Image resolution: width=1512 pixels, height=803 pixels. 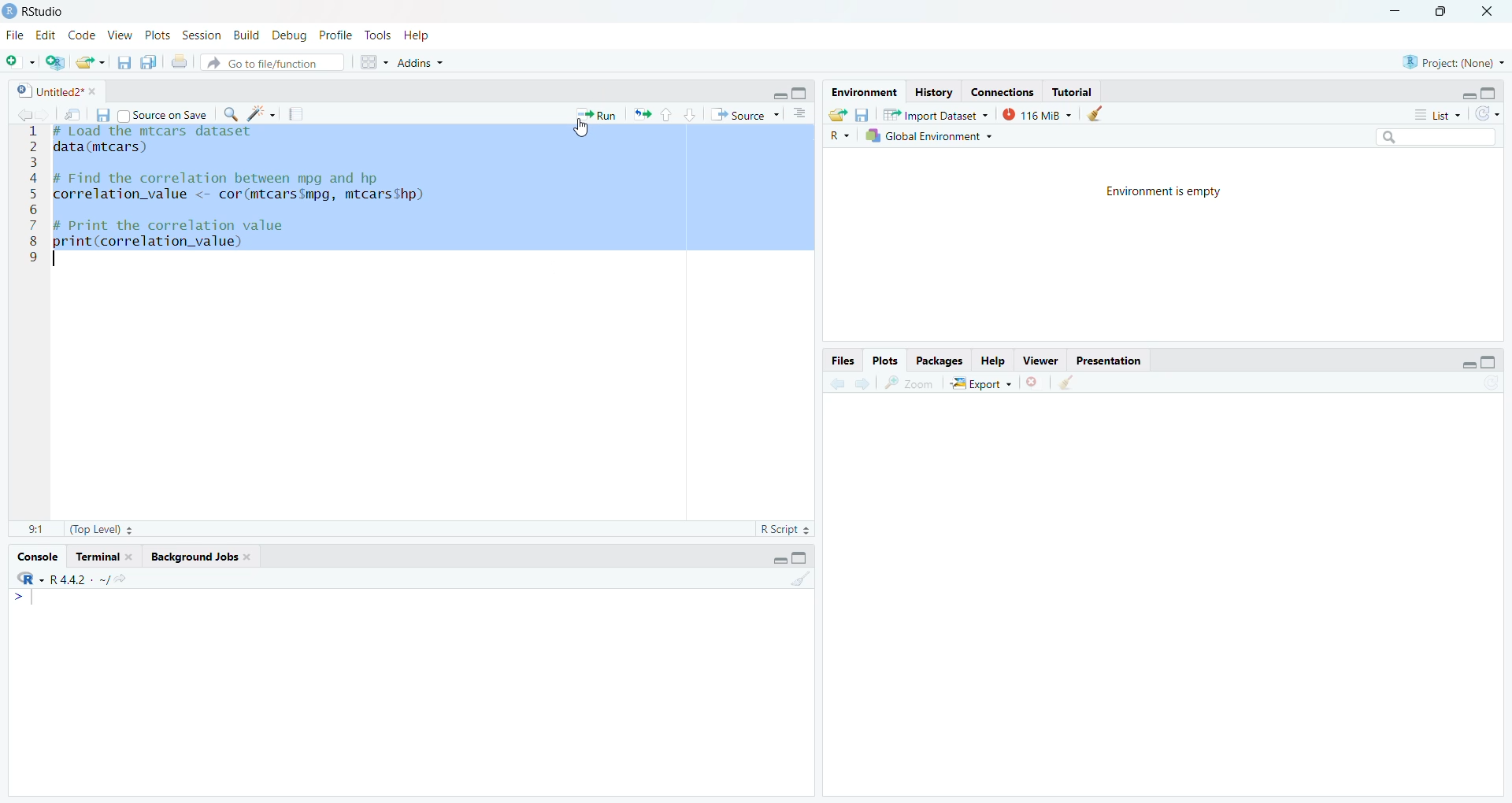 What do you see at coordinates (236, 204) in the screenshot?
I see `Te Tyee SRT SILER Serger
data(mtcars)

# Find the correlation between mpg and hp
correlation_value <- cor(mtcars$mpg, mtcarsShp)
# Print the correlation value
print(correlation_value)` at bounding box center [236, 204].